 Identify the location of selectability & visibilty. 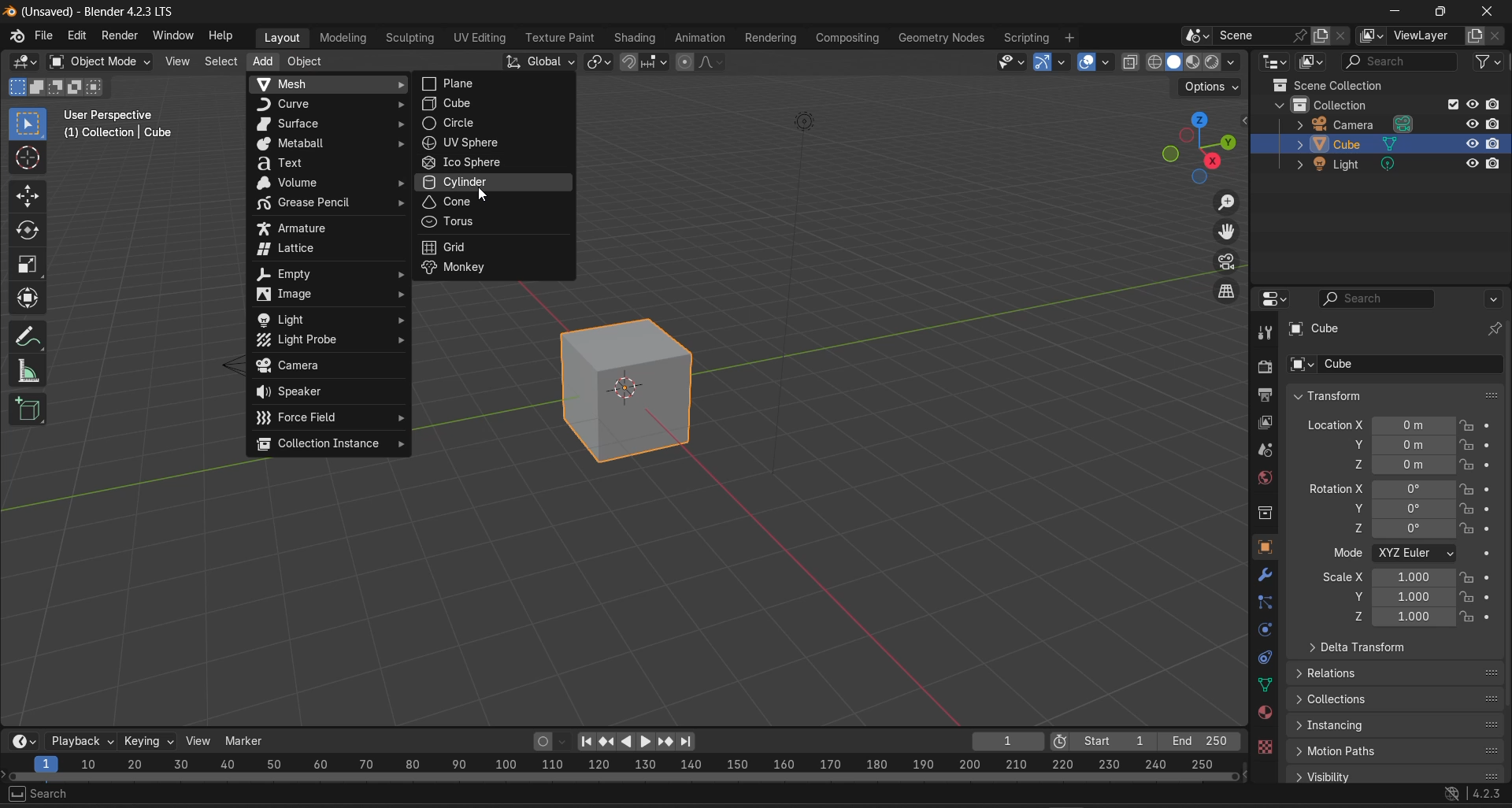
(1012, 62).